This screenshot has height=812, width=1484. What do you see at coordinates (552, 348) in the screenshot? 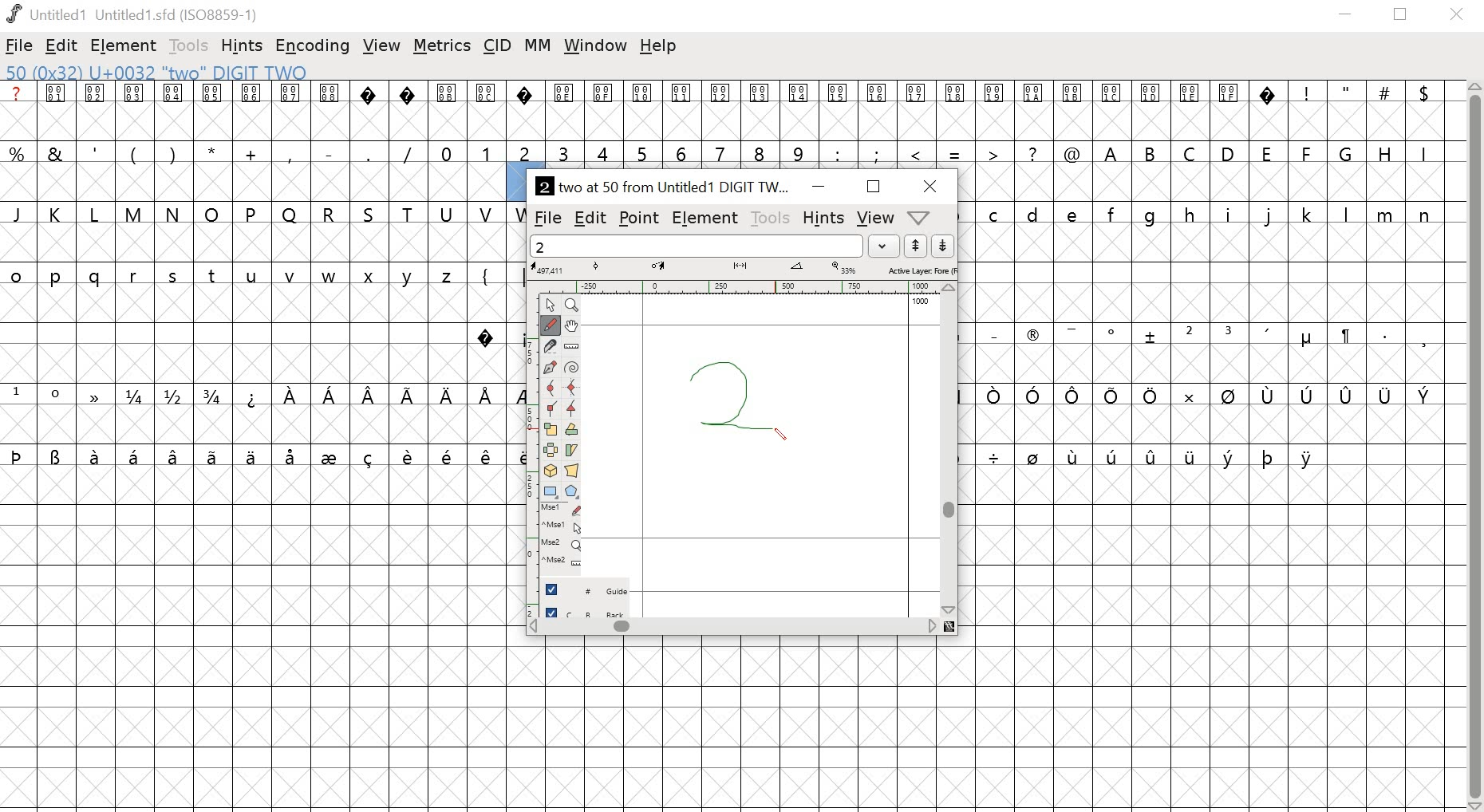
I see `knife` at bounding box center [552, 348].